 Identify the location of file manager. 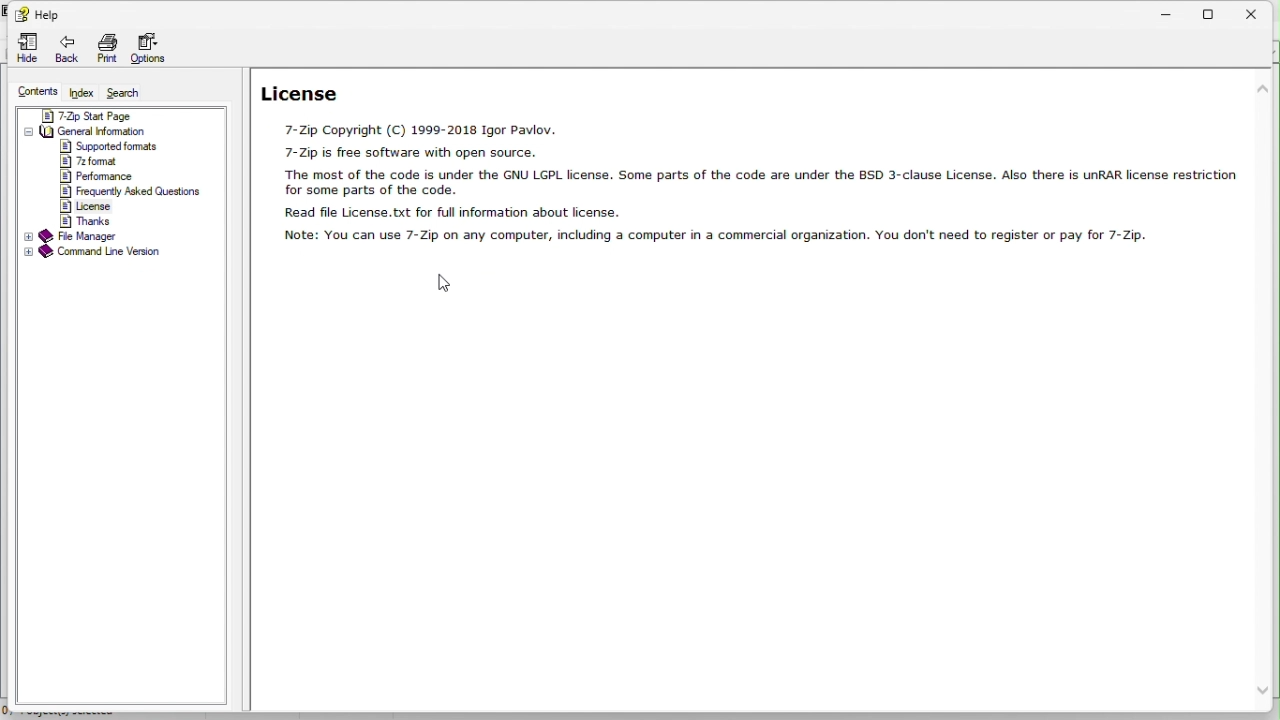
(79, 236).